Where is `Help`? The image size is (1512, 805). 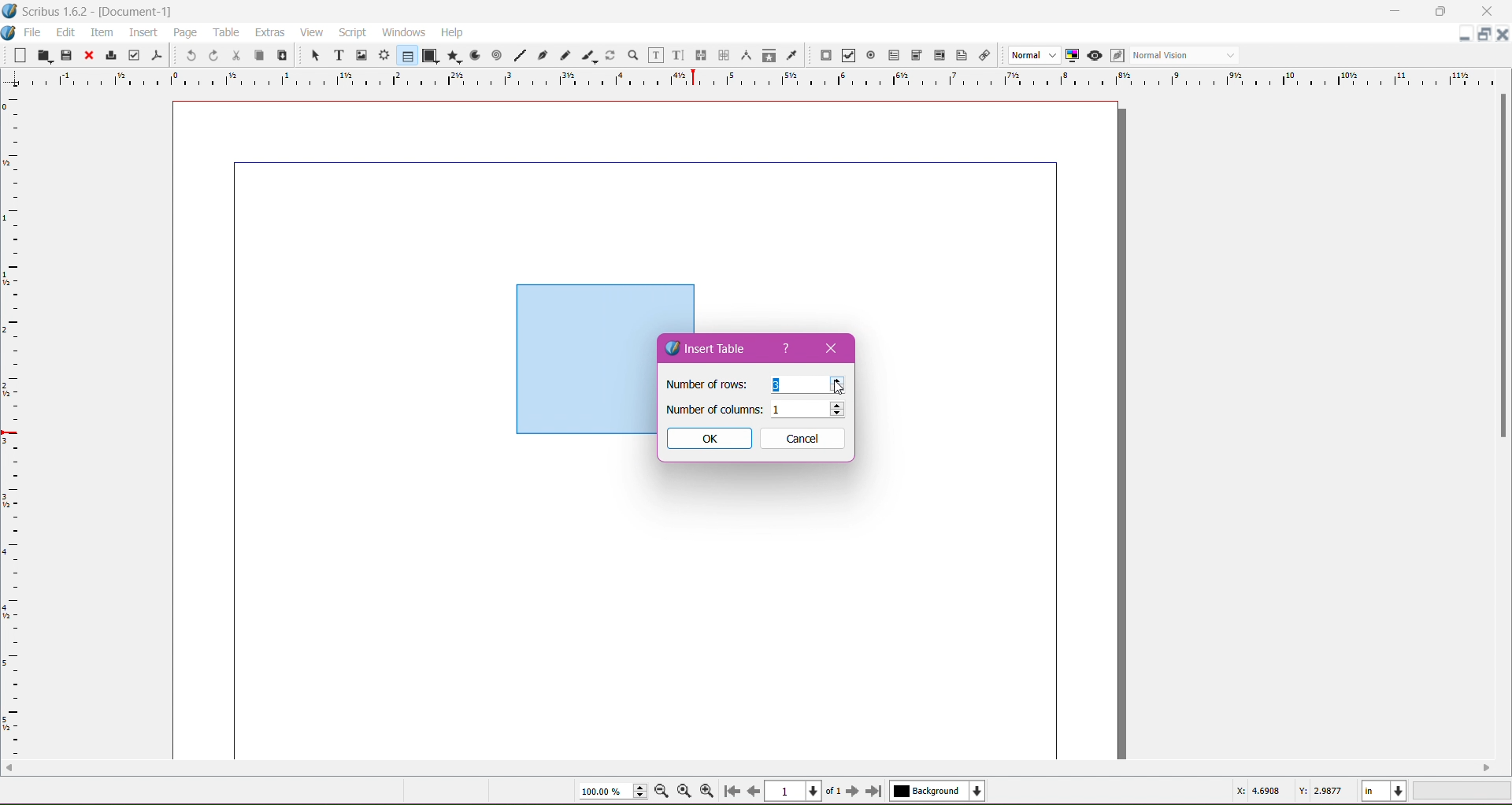
Help is located at coordinates (452, 33).